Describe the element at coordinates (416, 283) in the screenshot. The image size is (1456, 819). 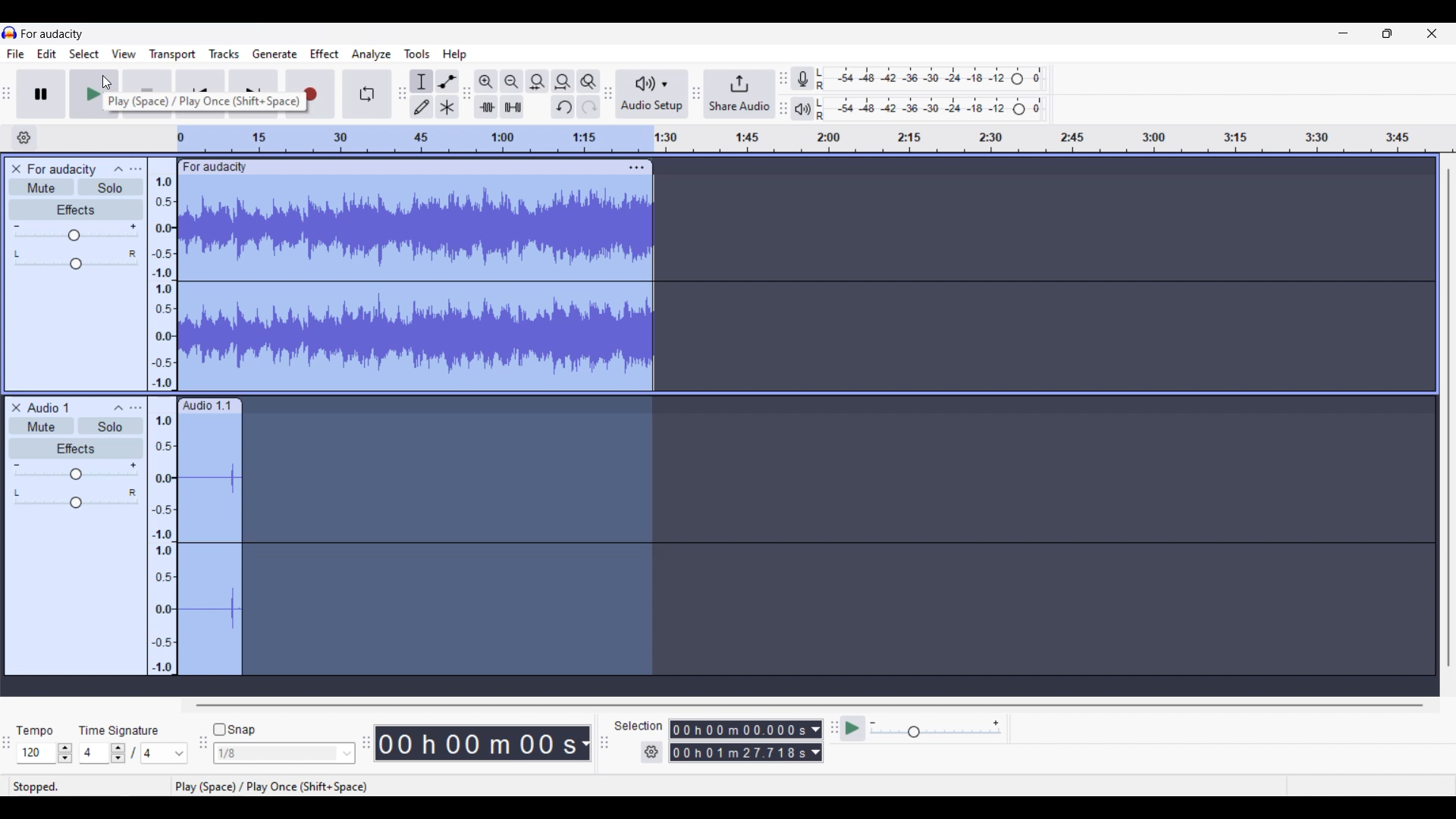
I see `track waveform selected` at that location.